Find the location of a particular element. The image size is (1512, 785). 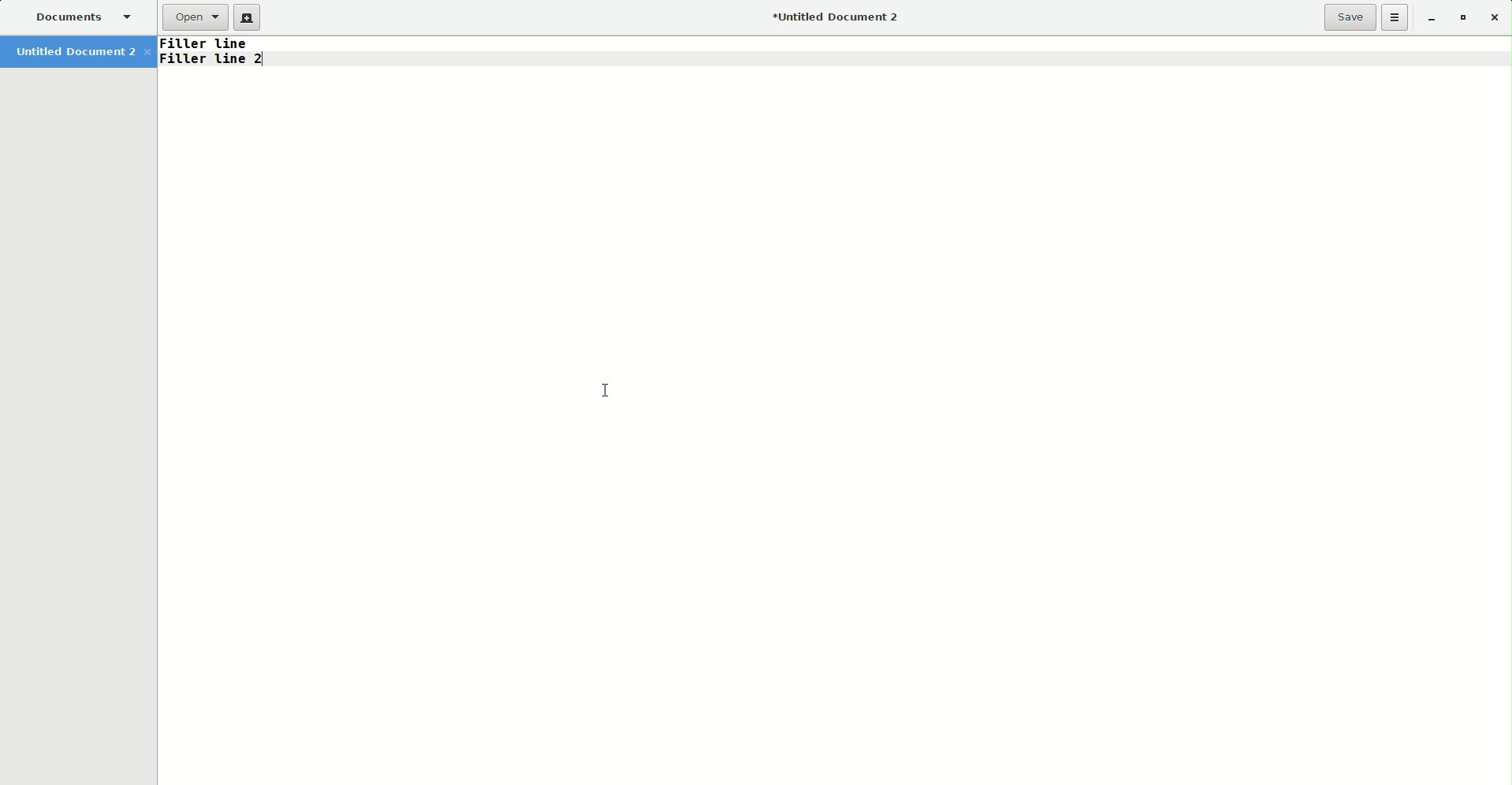

Minimize is located at coordinates (1428, 17).